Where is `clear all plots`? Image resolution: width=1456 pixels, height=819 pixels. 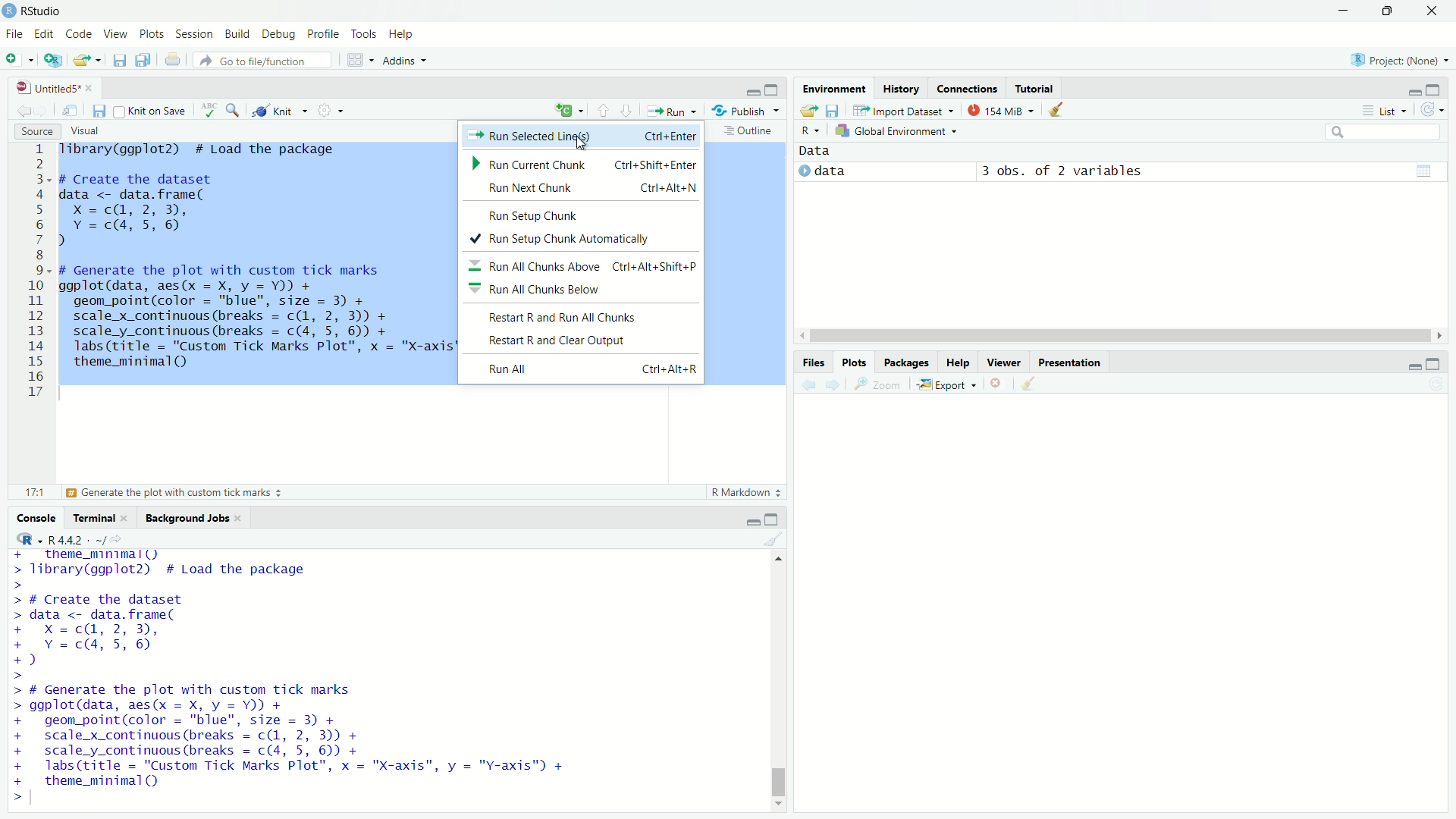 clear all plots is located at coordinates (1028, 384).